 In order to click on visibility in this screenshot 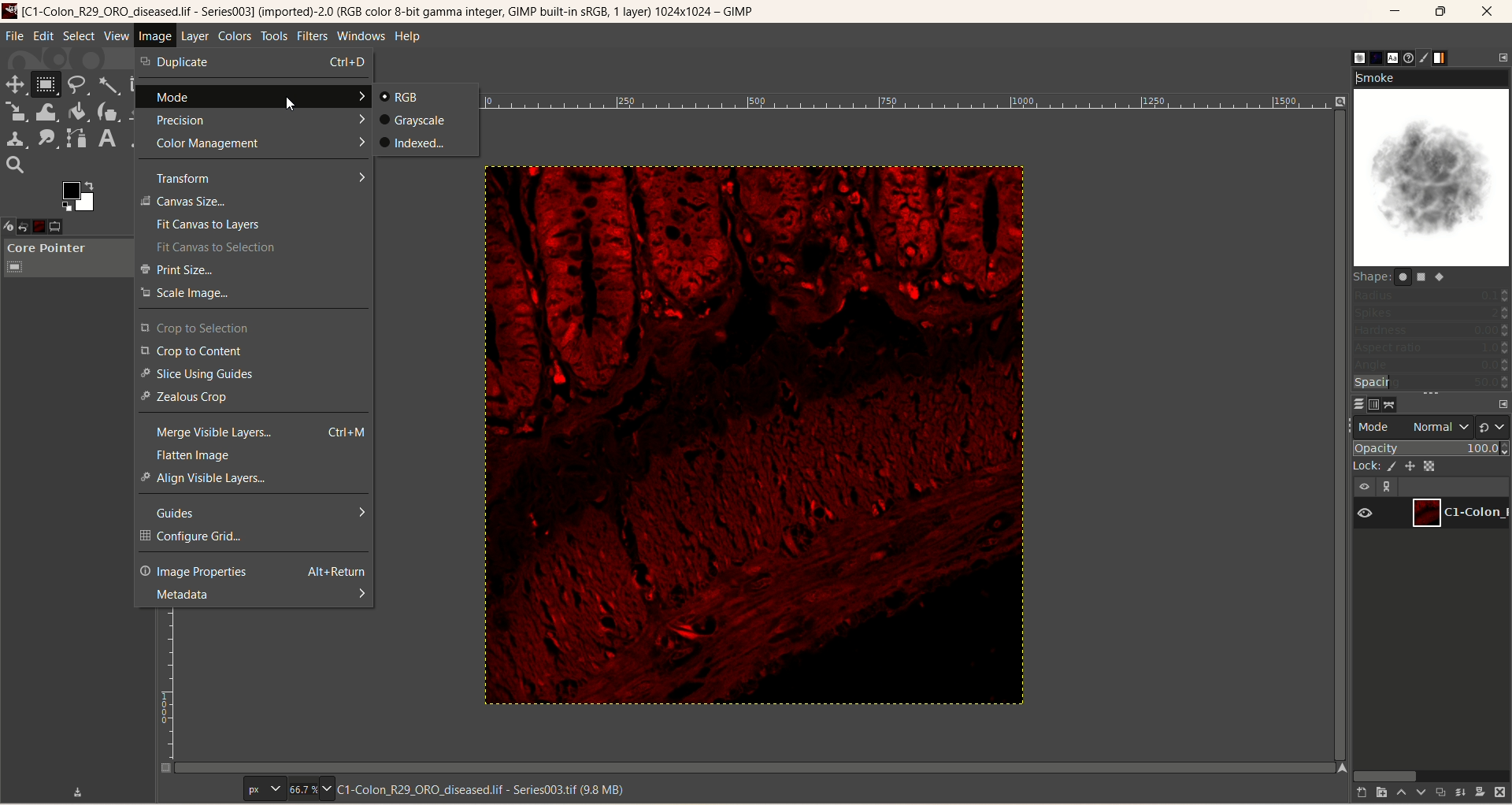, I will do `click(1366, 514)`.